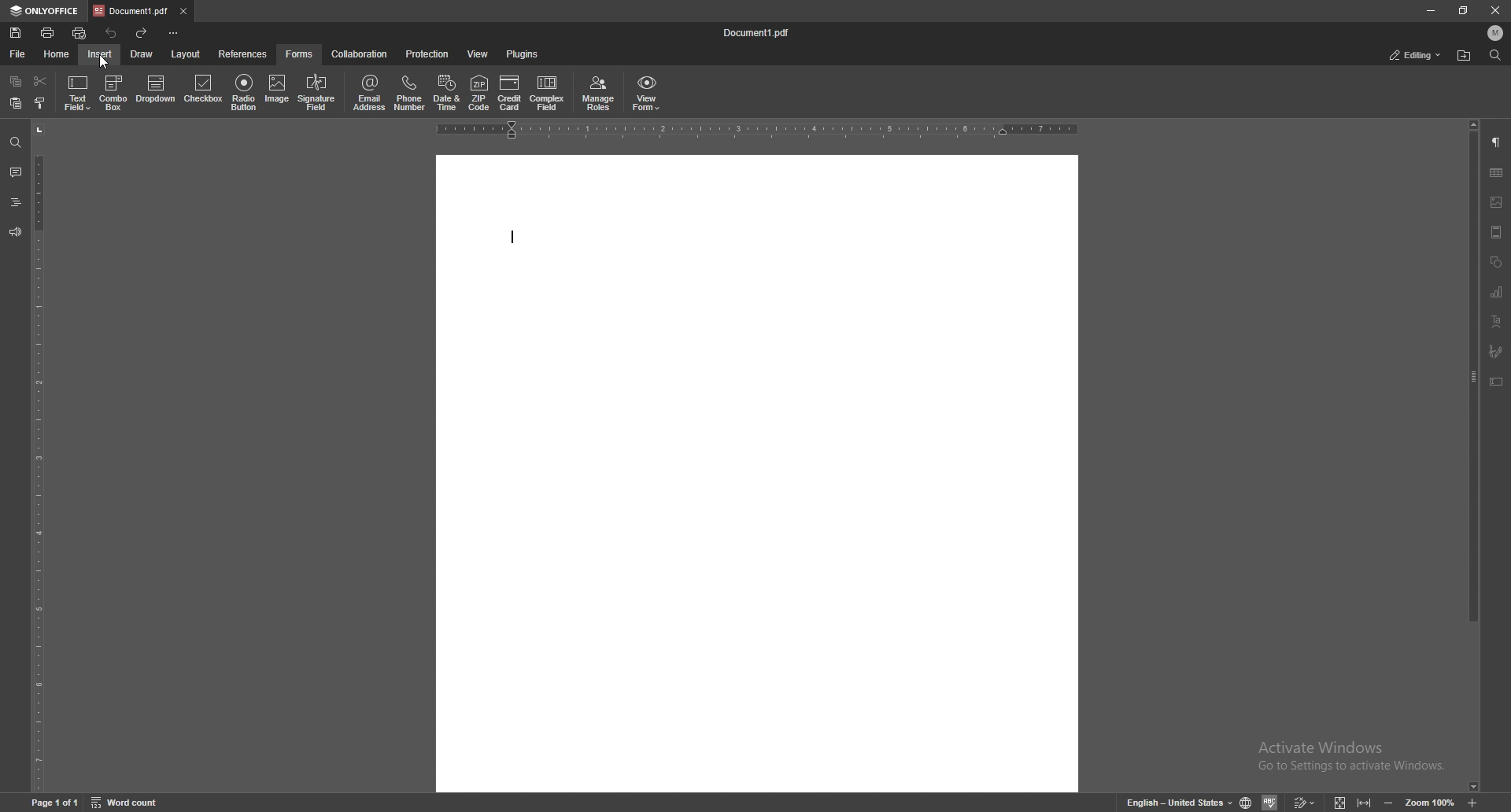 This screenshot has height=812, width=1511. Describe the element at coordinates (1498, 294) in the screenshot. I see `chart` at that location.